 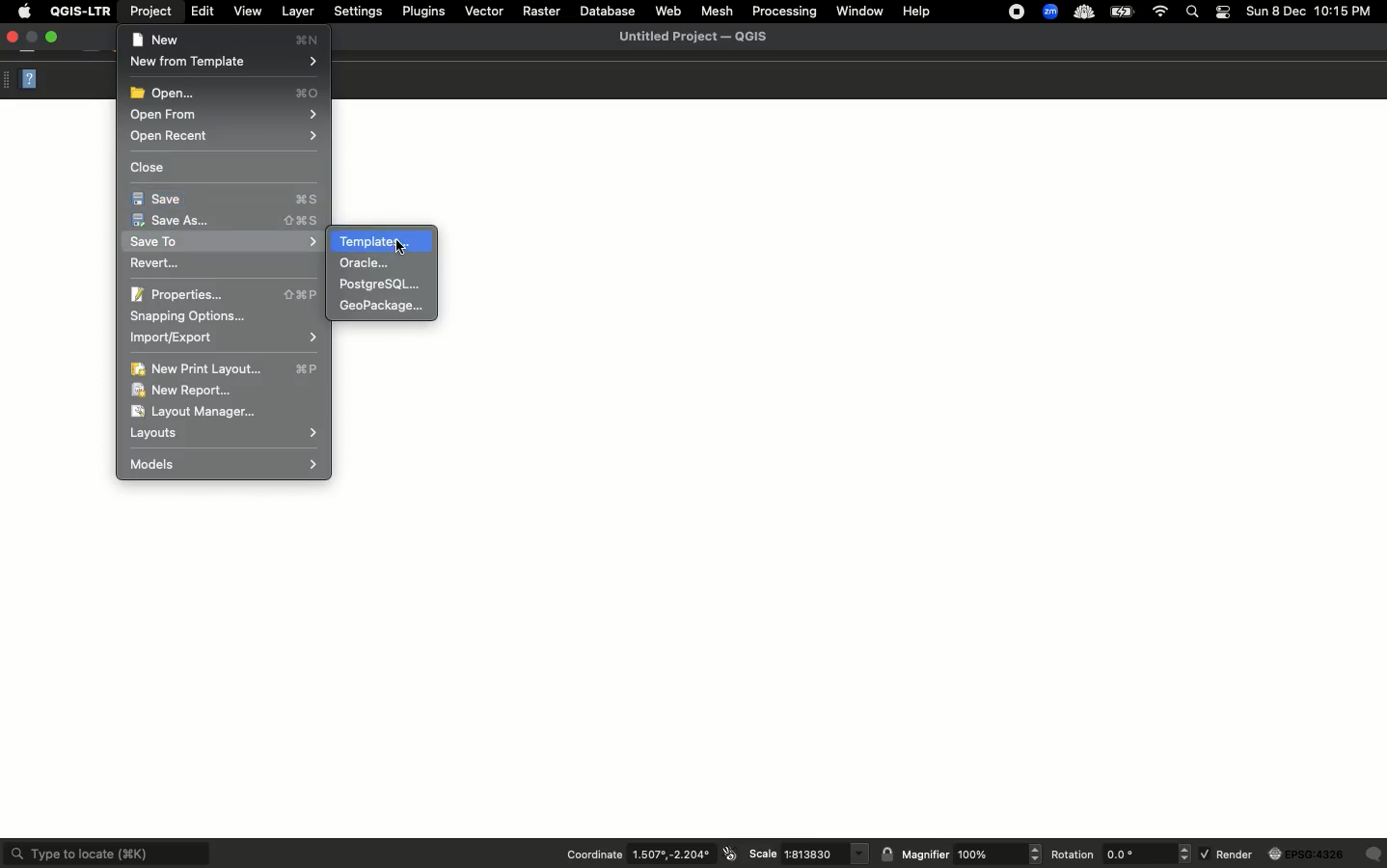 What do you see at coordinates (152, 12) in the screenshot?
I see `Project` at bounding box center [152, 12].